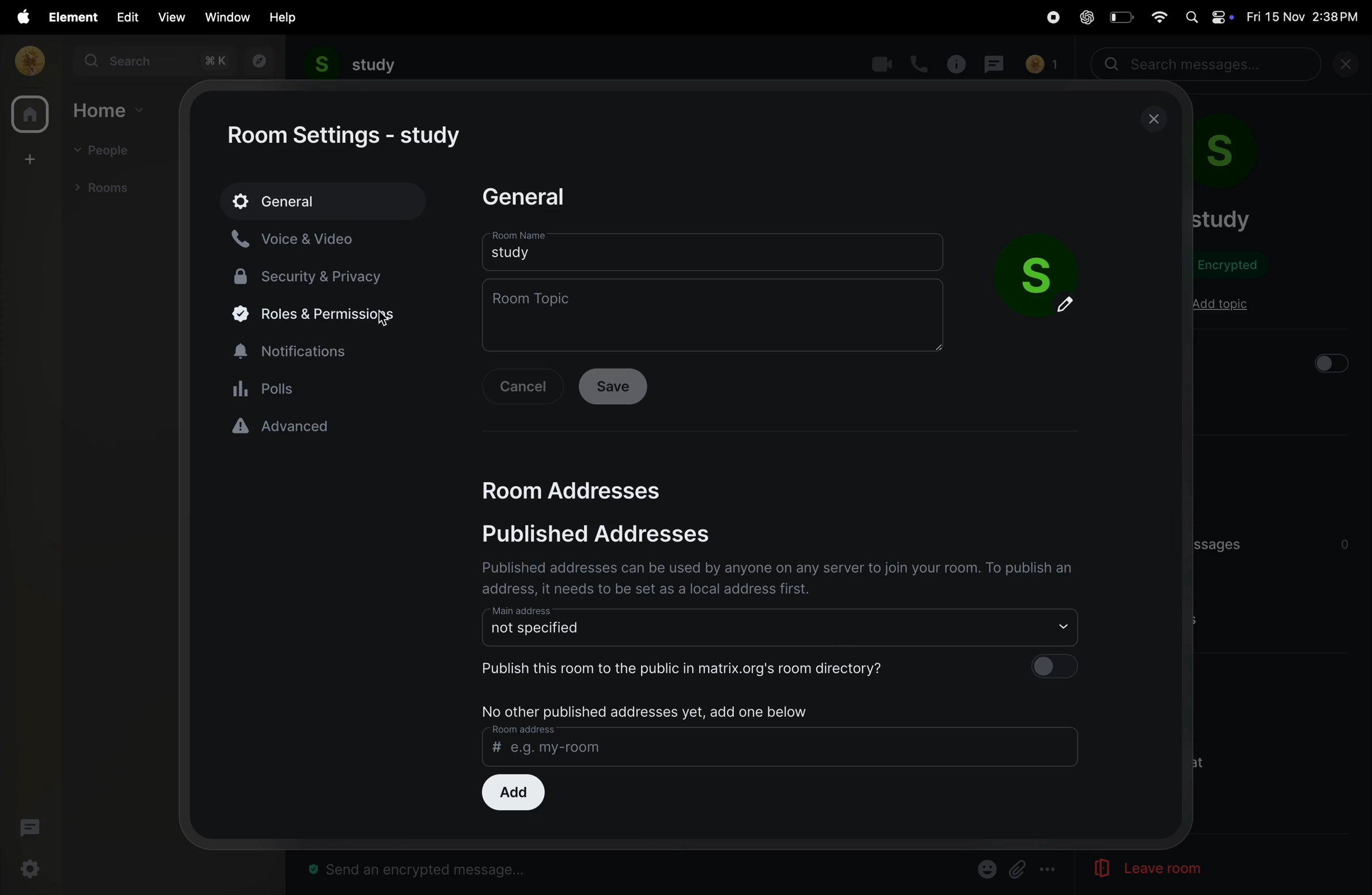  Describe the element at coordinates (1241, 156) in the screenshot. I see `room profile` at that location.